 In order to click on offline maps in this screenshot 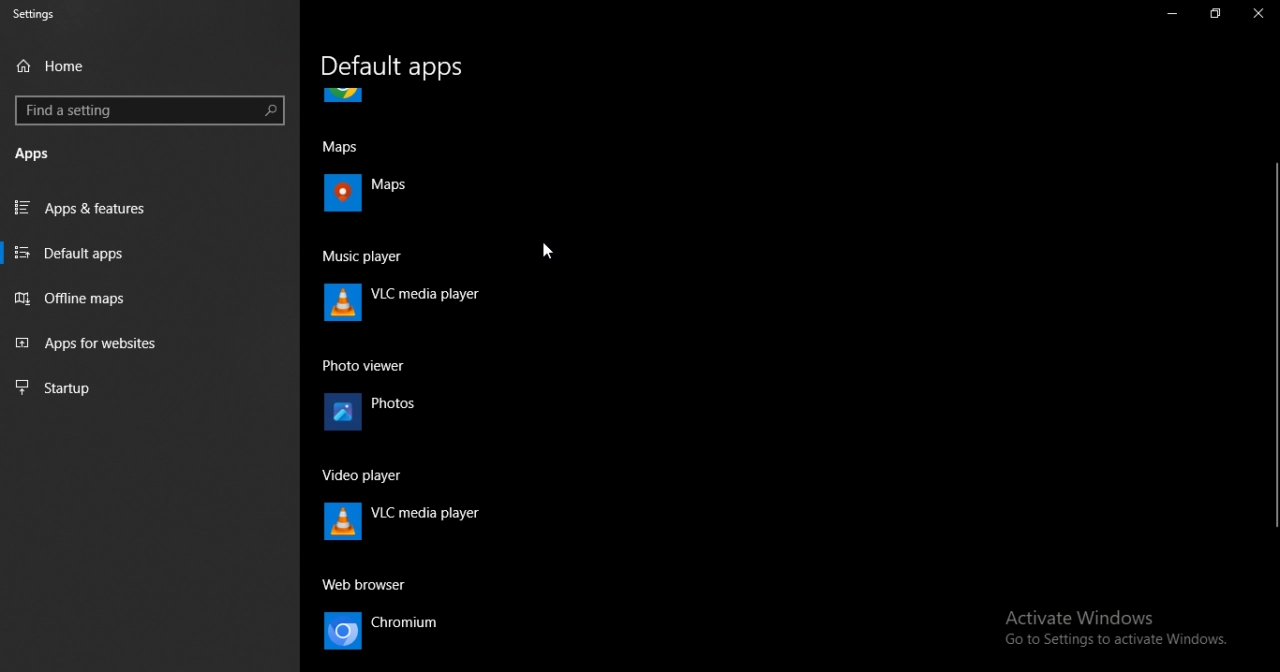, I will do `click(150, 299)`.